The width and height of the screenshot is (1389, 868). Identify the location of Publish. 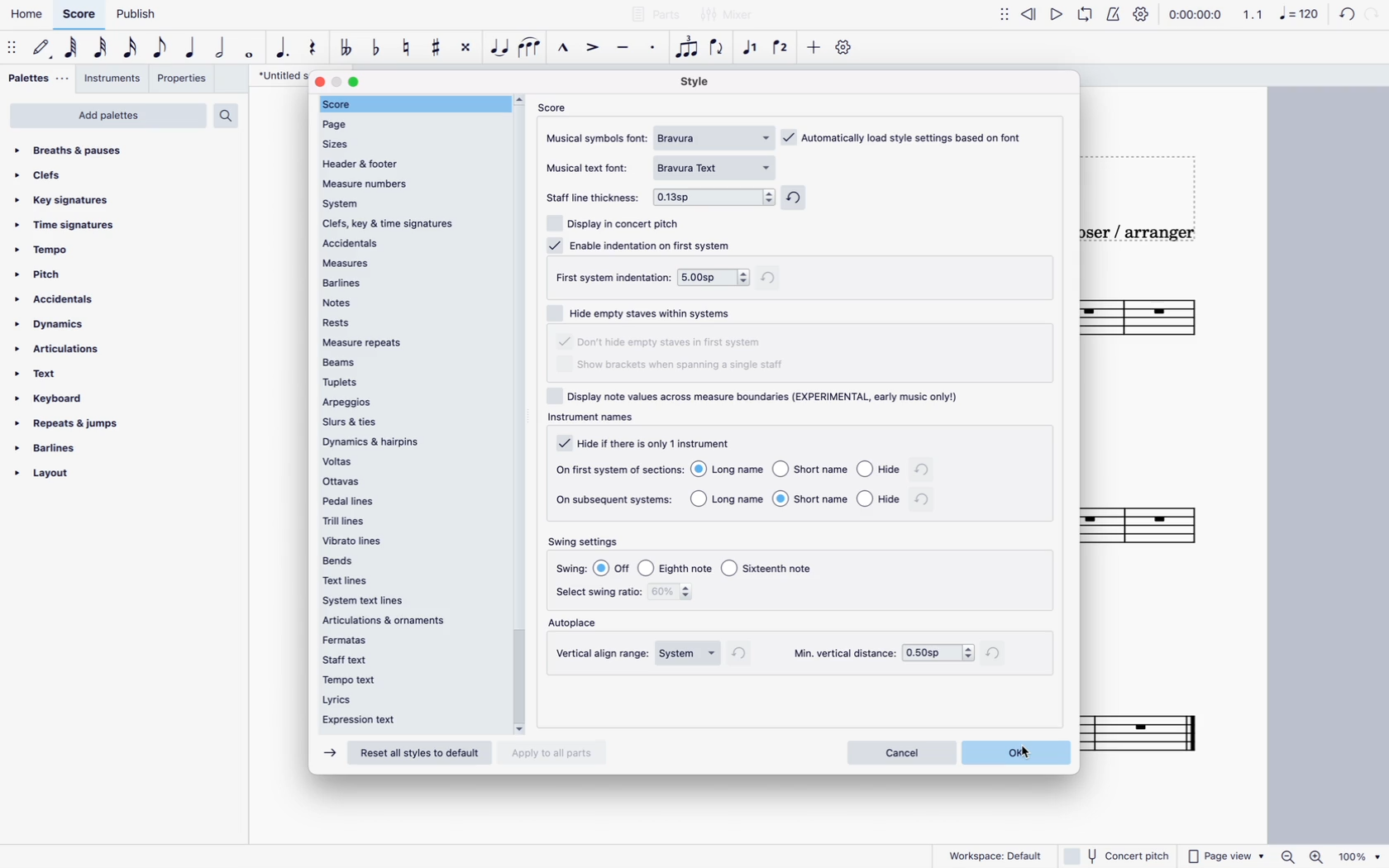
(146, 14).